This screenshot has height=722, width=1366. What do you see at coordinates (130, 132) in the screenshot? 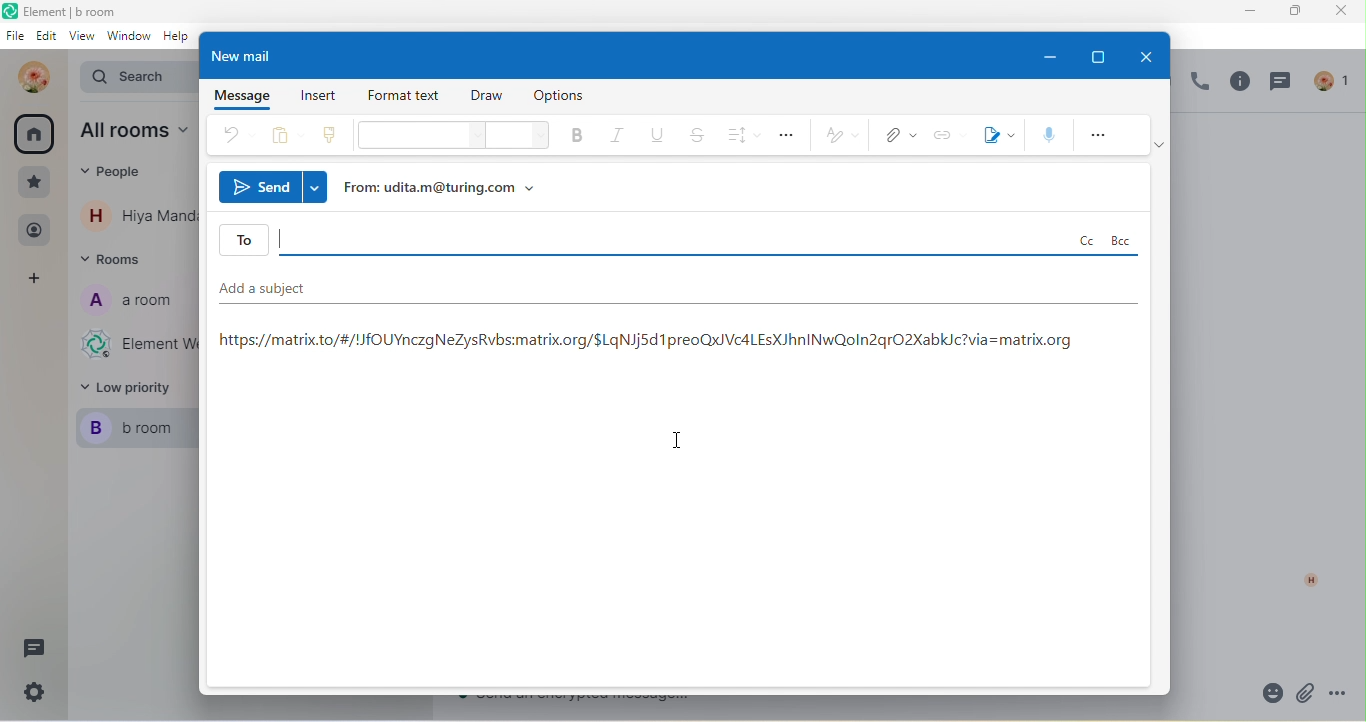
I see `all rooms` at bounding box center [130, 132].